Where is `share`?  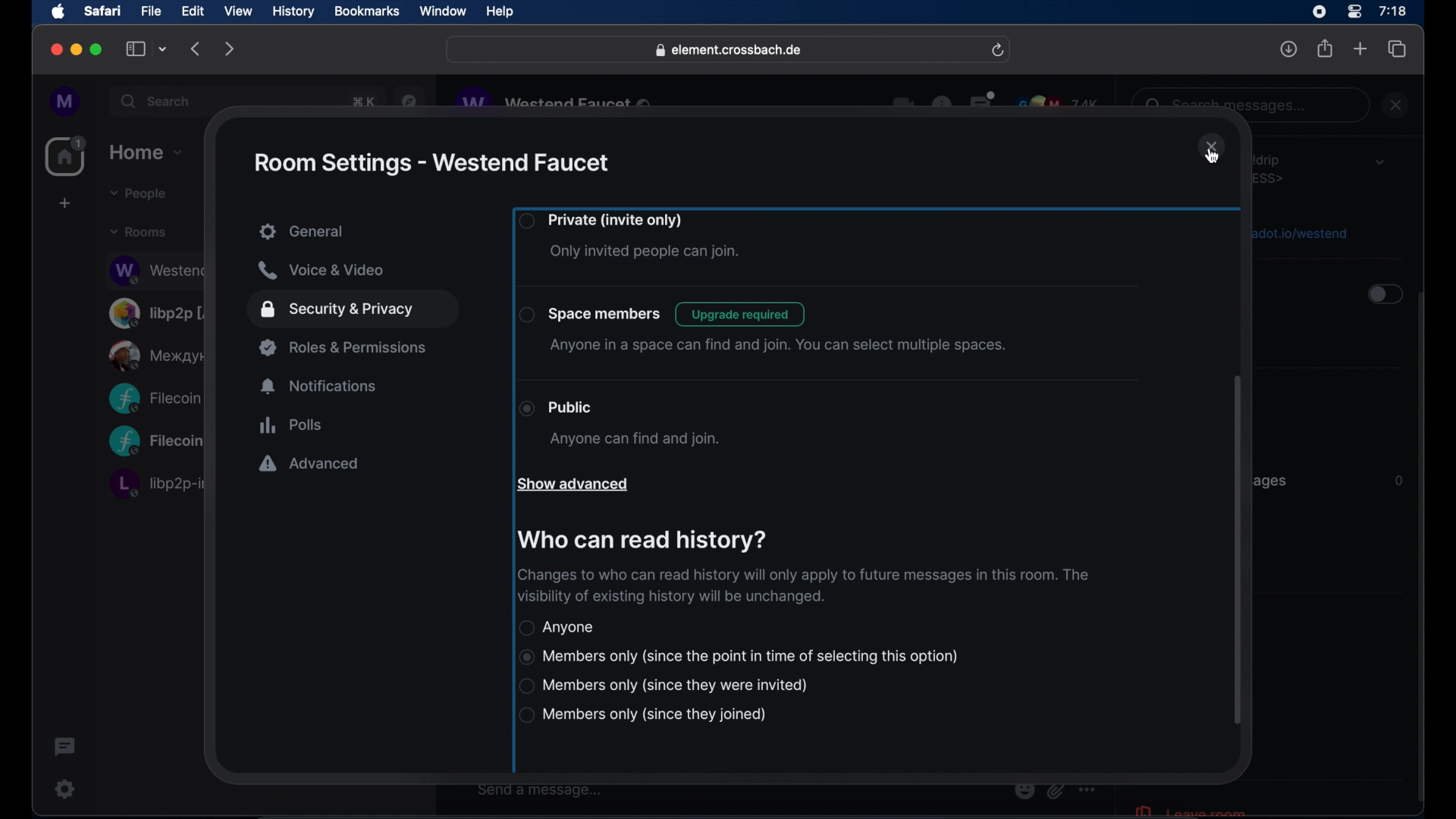
share is located at coordinates (1326, 49).